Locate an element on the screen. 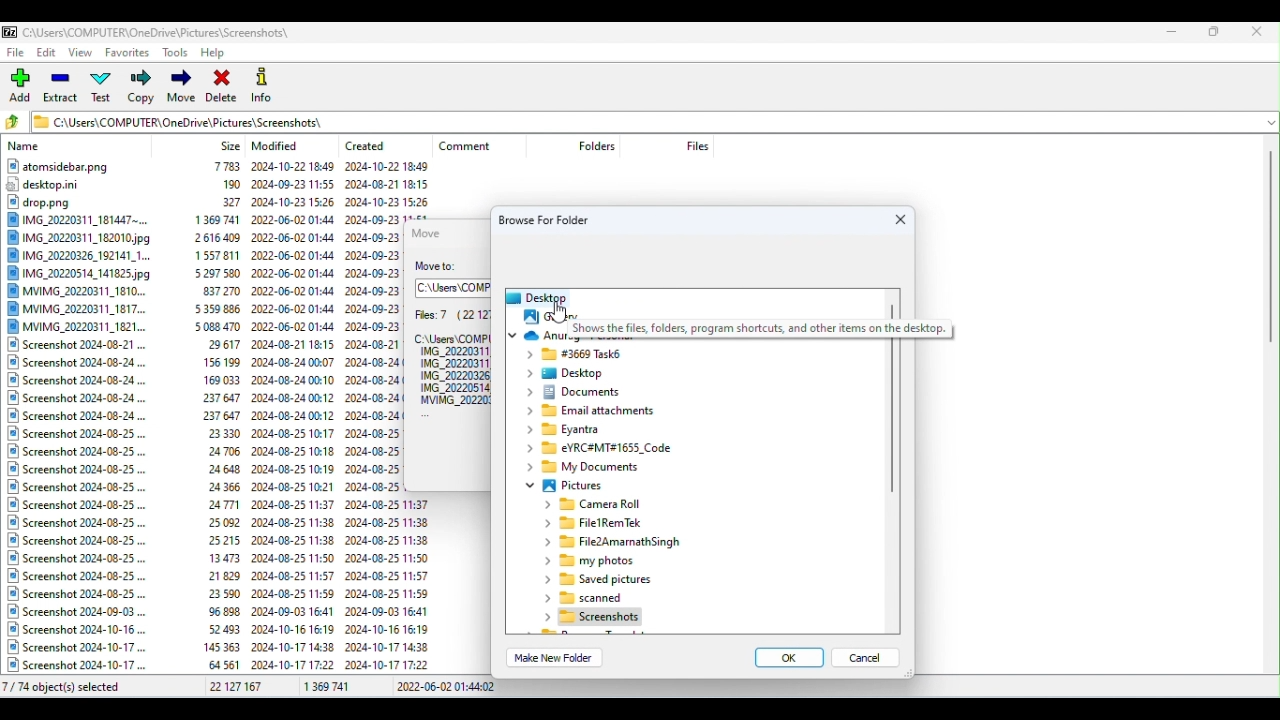 The height and width of the screenshot is (720, 1280). Name is located at coordinates (27, 147).